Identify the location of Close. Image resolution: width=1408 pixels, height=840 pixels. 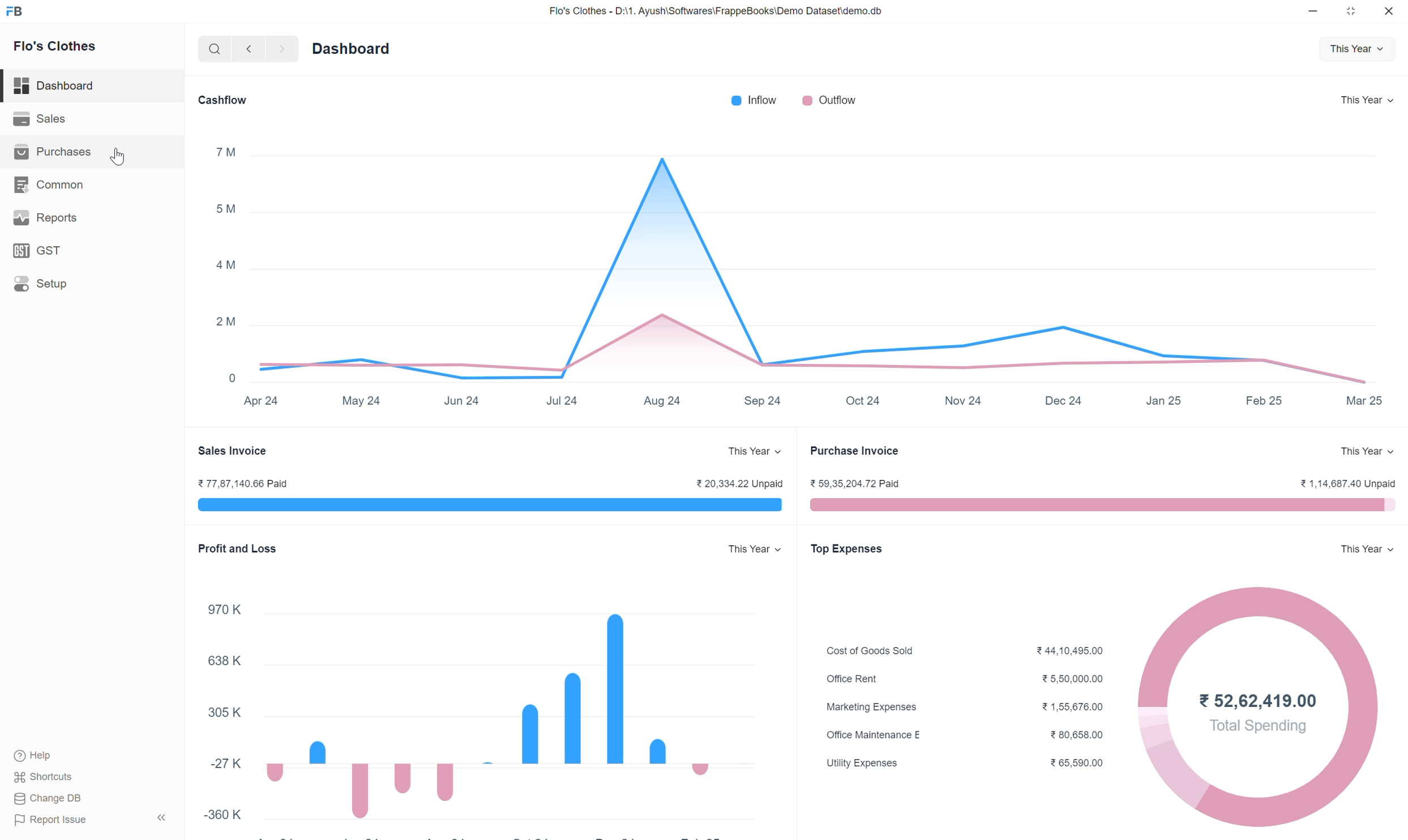
(1389, 11).